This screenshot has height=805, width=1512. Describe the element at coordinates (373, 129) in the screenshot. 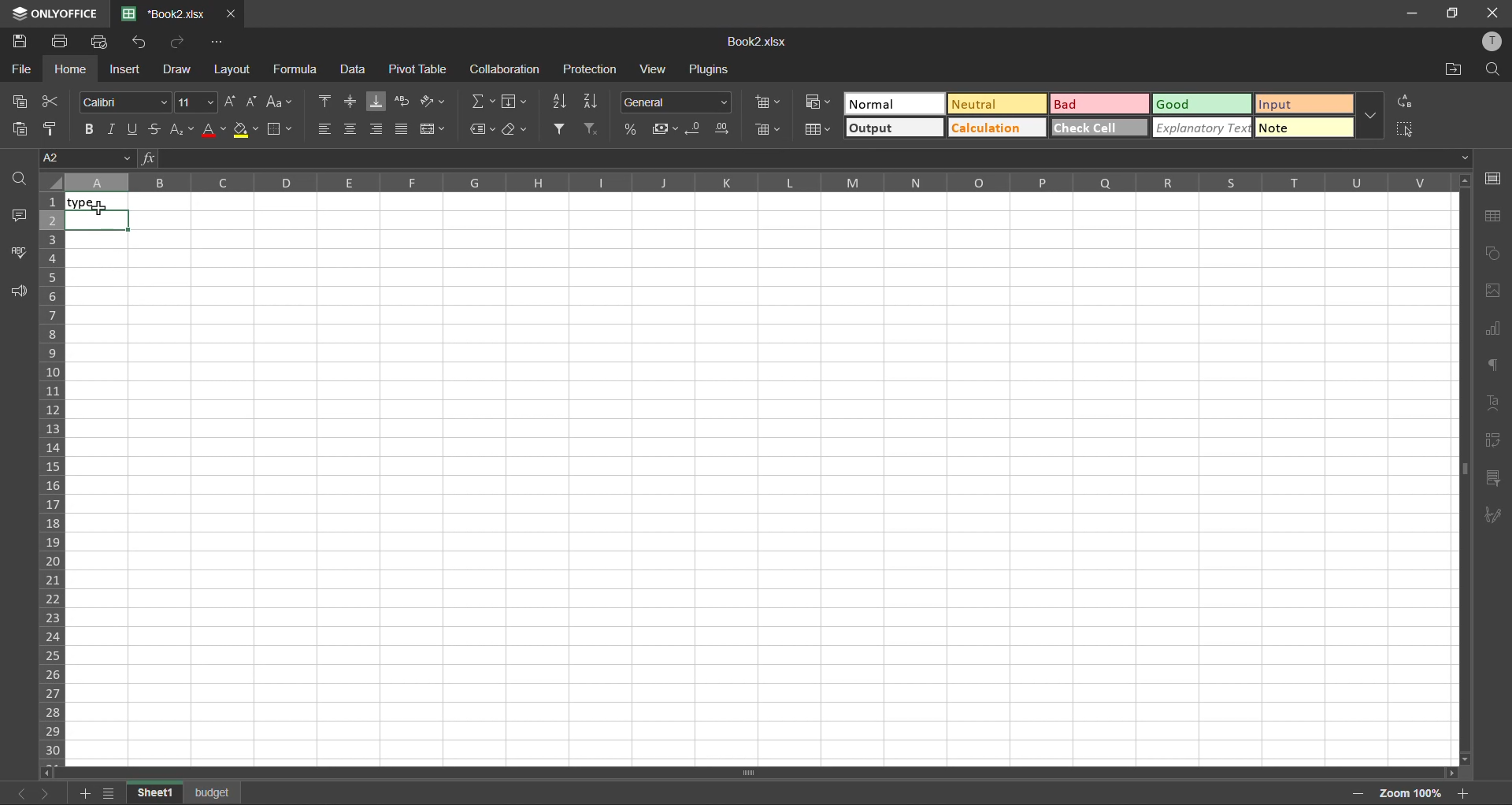

I see `align right` at that location.